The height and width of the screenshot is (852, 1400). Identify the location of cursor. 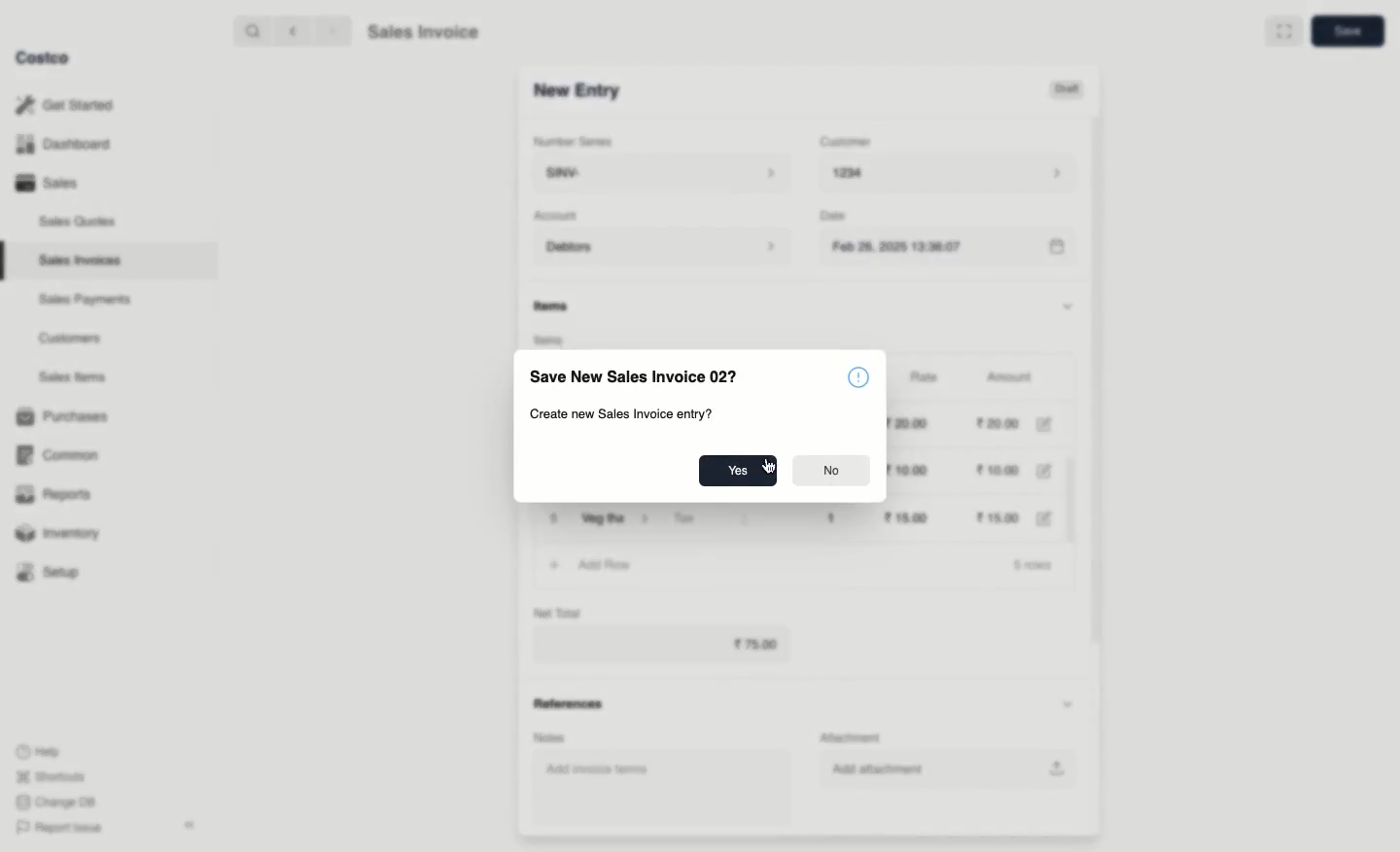
(766, 462).